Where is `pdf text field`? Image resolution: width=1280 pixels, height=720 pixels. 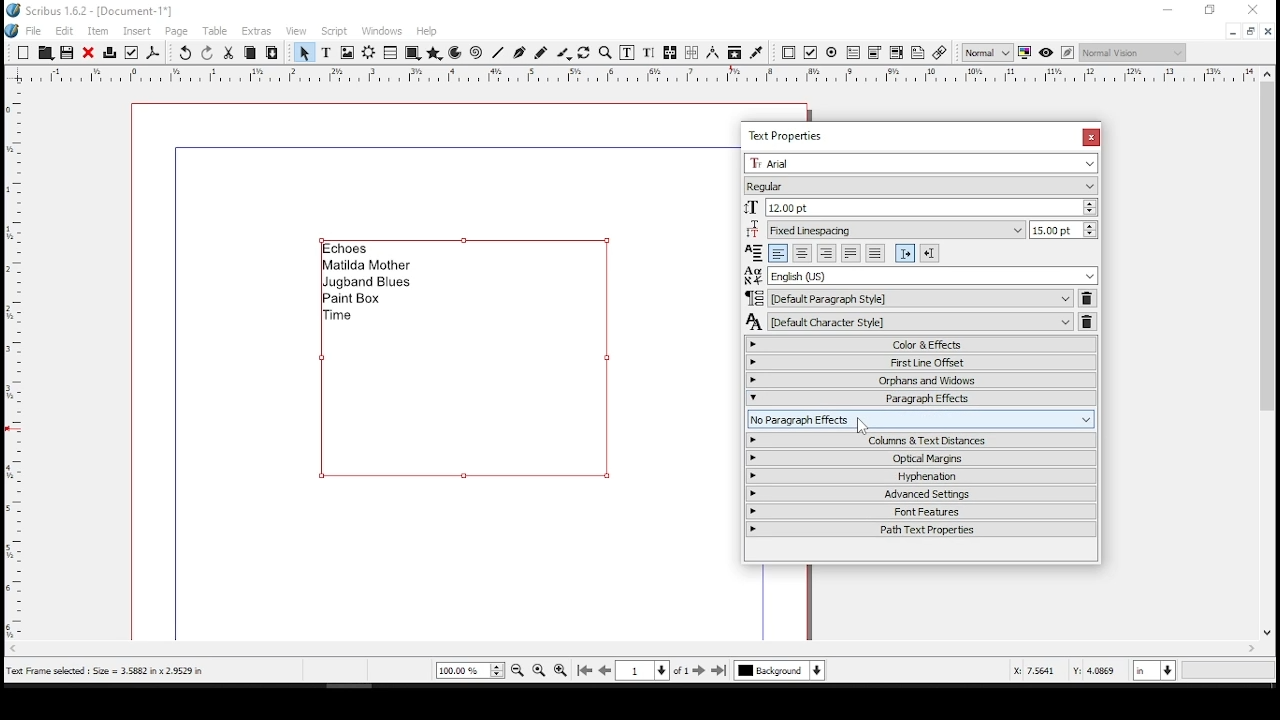 pdf text field is located at coordinates (853, 53).